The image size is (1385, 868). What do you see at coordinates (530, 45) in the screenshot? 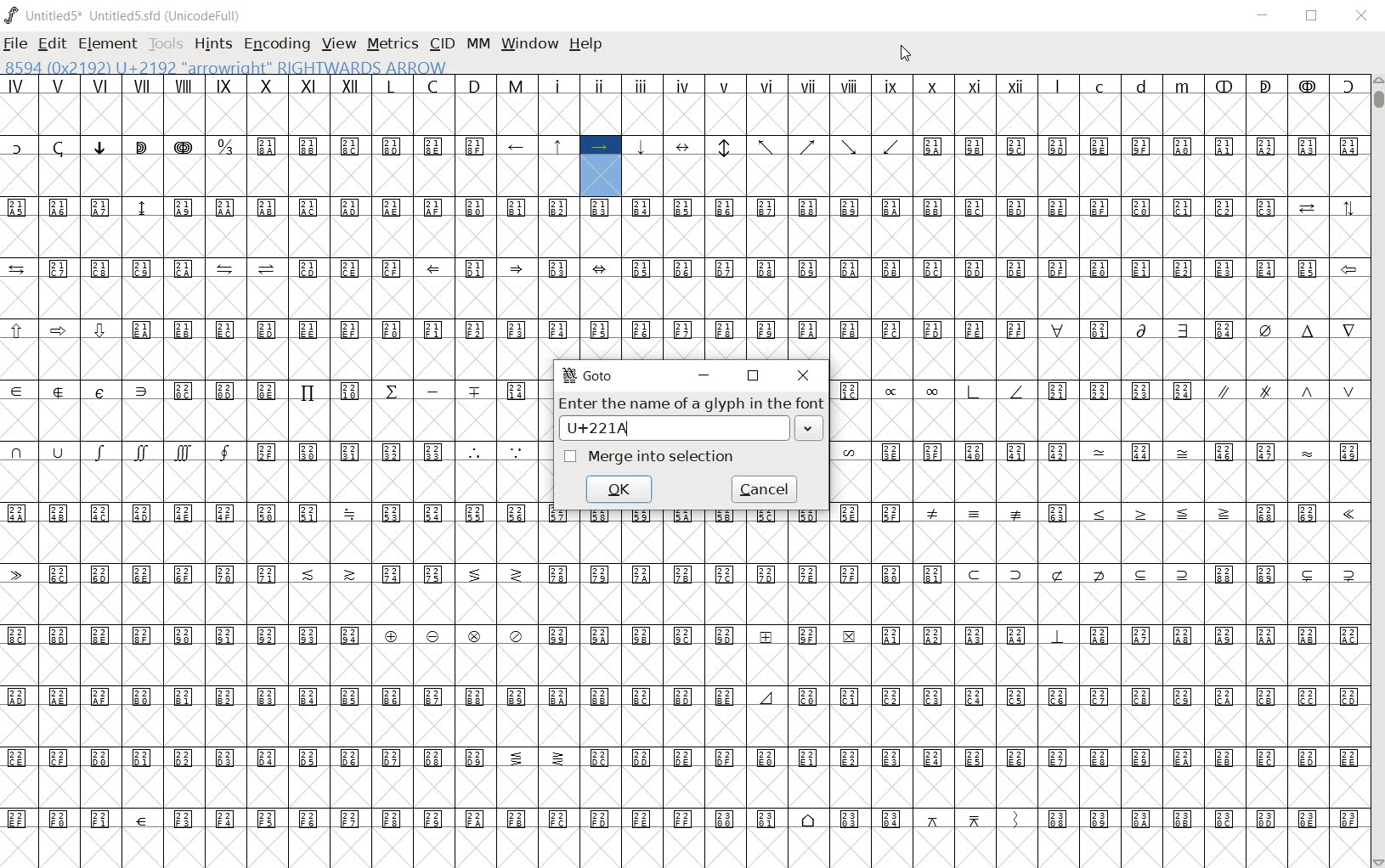
I see `WINDOW` at bounding box center [530, 45].